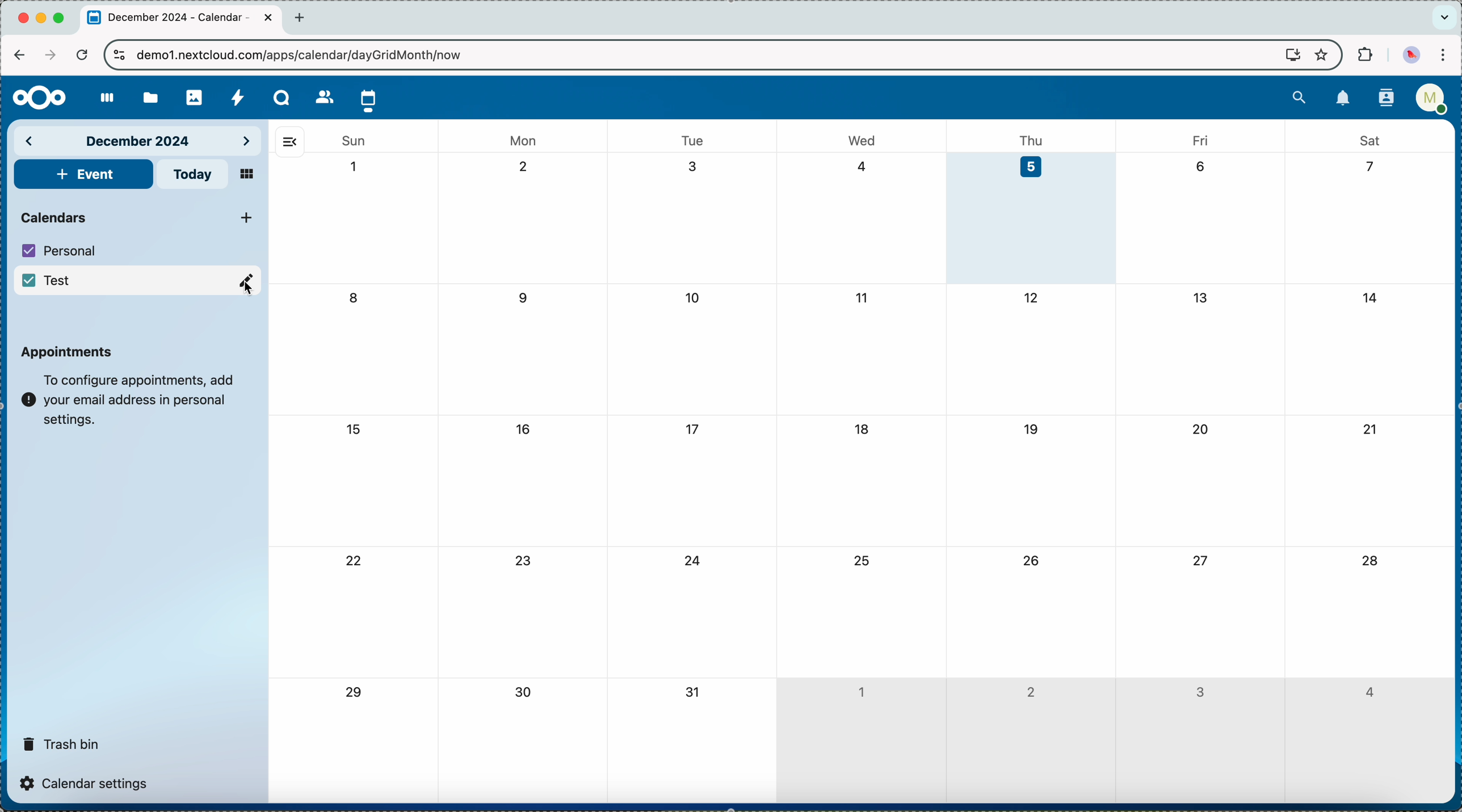 The width and height of the screenshot is (1462, 812). What do you see at coordinates (1299, 96) in the screenshot?
I see `search` at bounding box center [1299, 96].